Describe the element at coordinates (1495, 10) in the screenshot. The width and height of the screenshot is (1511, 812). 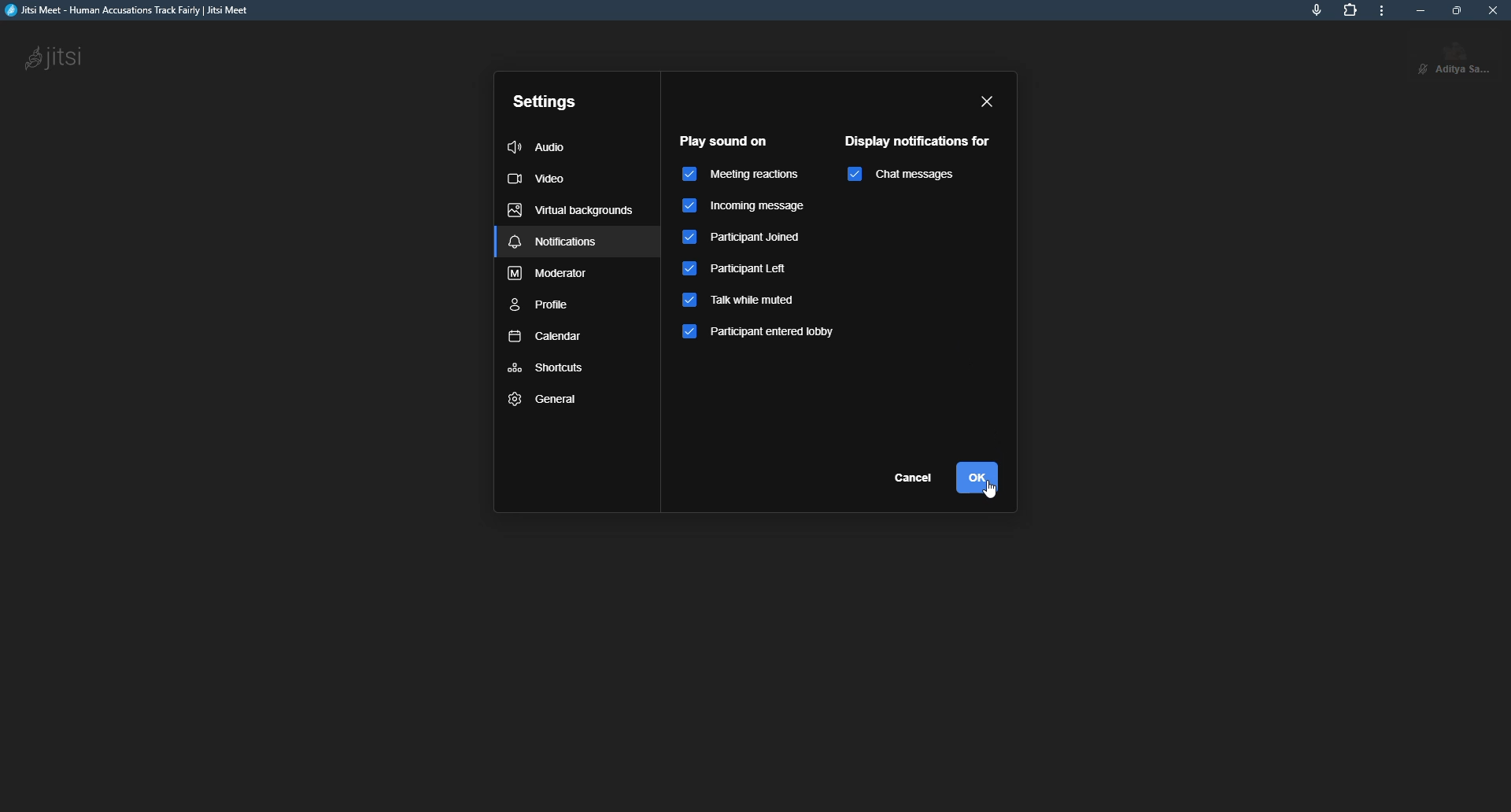
I see `close` at that location.